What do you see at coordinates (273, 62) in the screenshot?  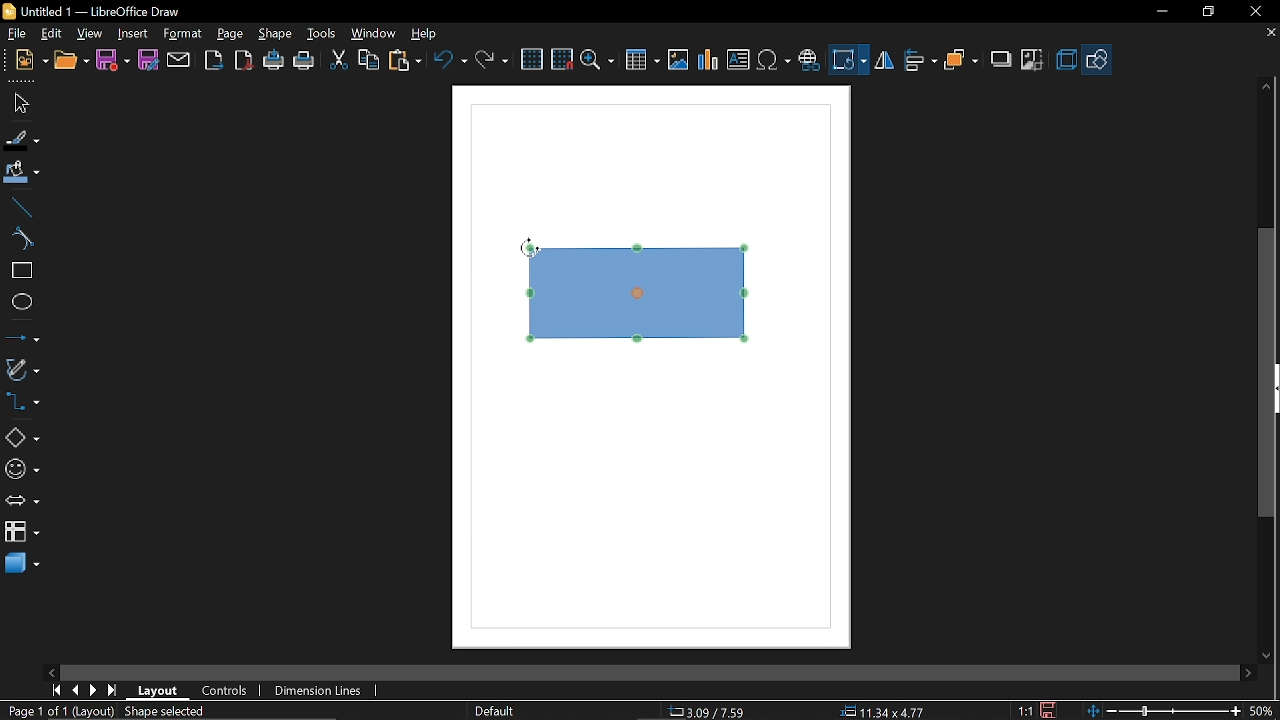 I see `print directly` at bounding box center [273, 62].